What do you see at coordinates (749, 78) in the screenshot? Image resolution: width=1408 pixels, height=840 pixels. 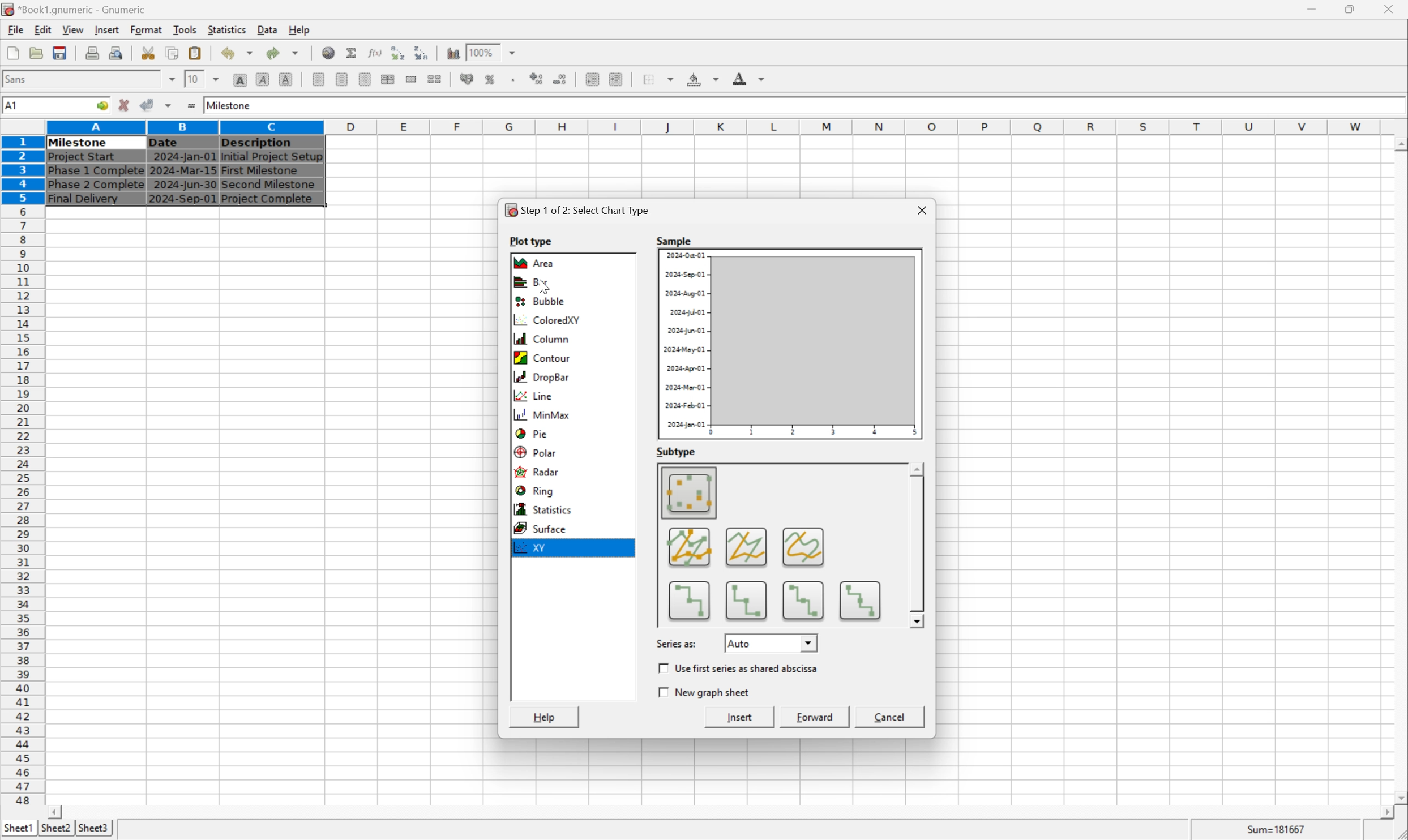 I see `font color` at bounding box center [749, 78].